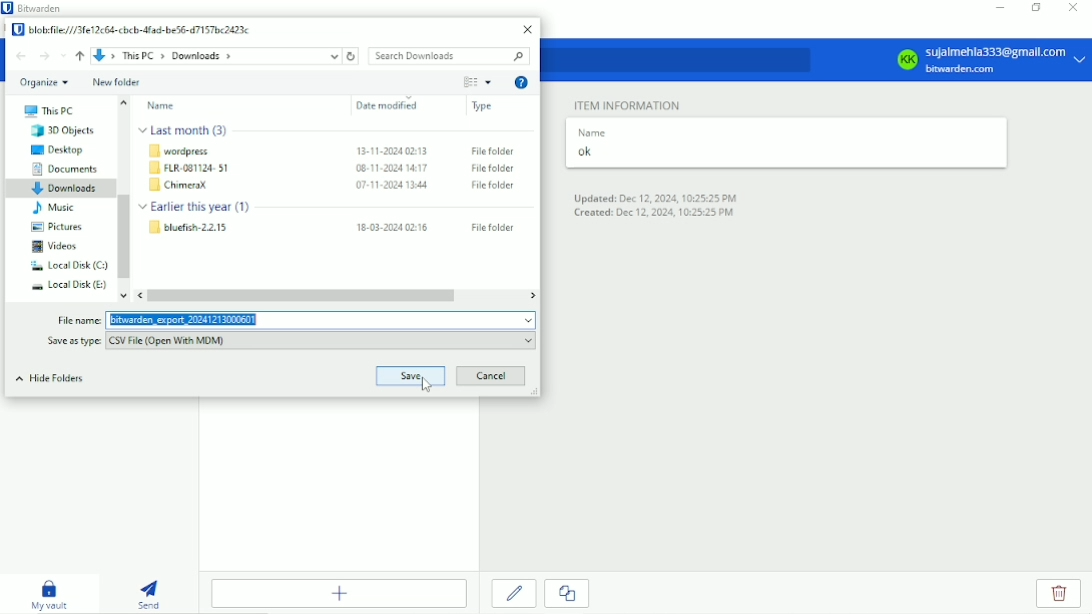  What do you see at coordinates (997, 8) in the screenshot?
I see `Minimize` at bounding box center [997, 8].